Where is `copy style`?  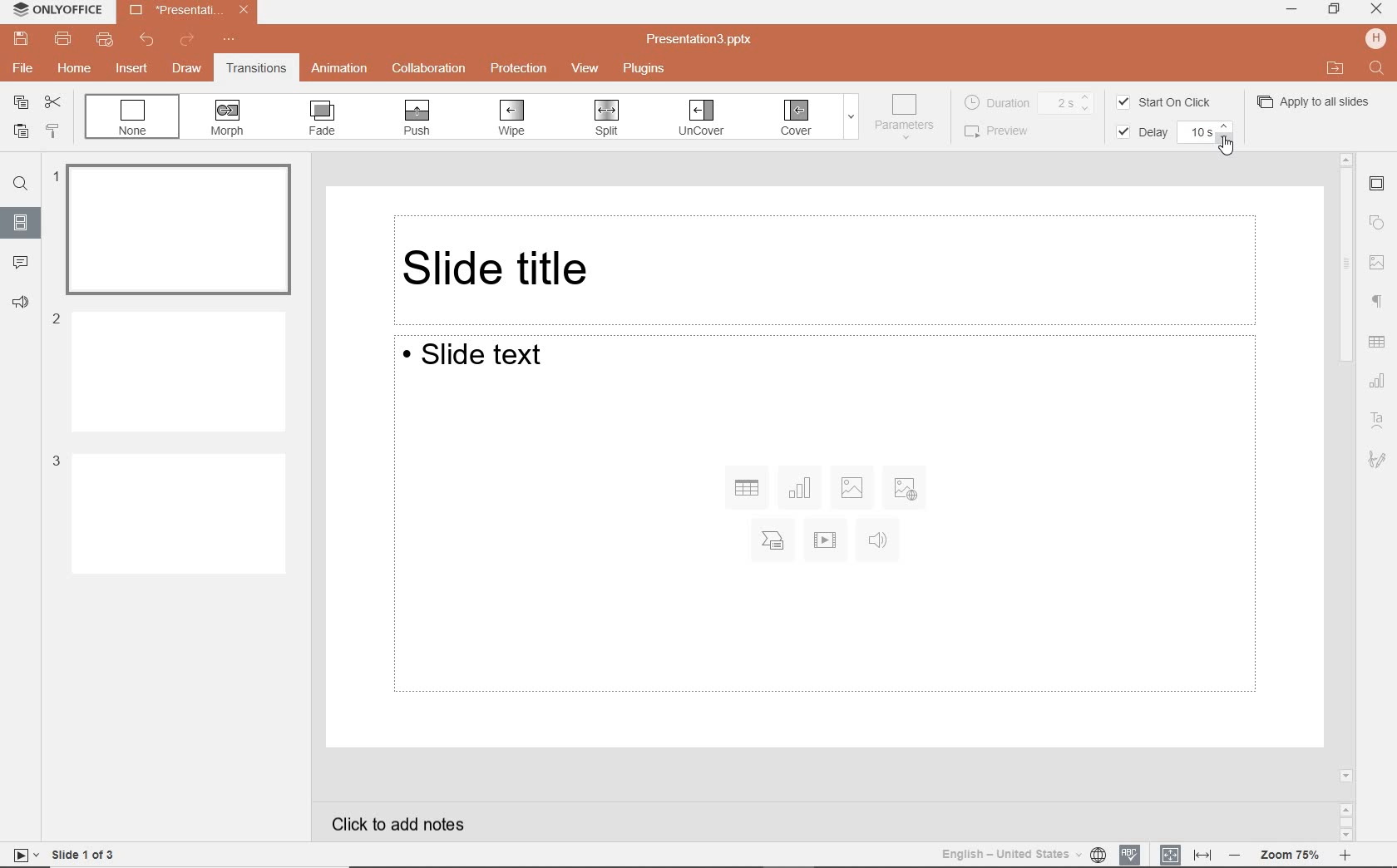
copy style is located at coordinates (51, 132).